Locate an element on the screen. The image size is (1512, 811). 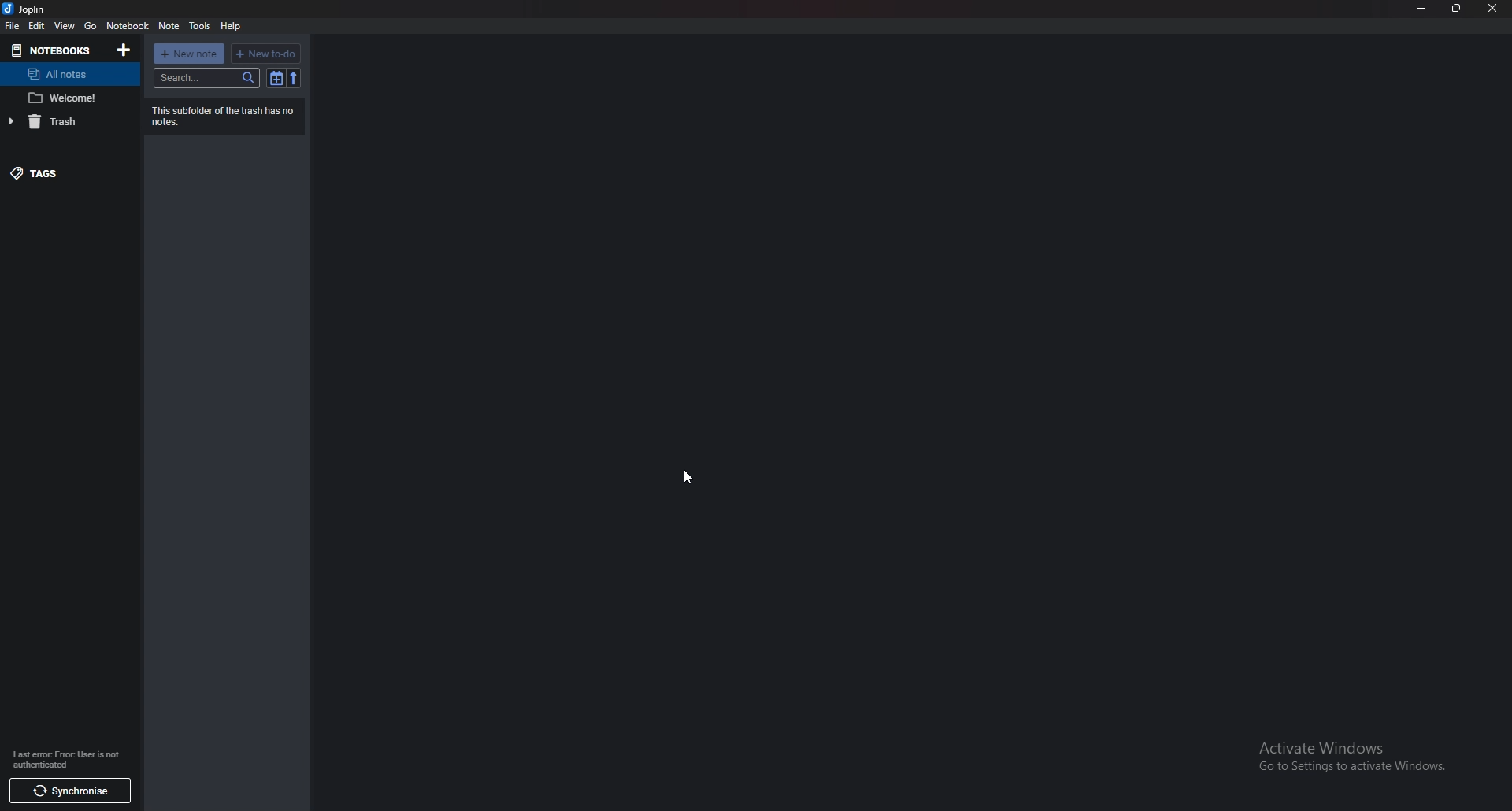
sync is located at coordinates (74, 791).